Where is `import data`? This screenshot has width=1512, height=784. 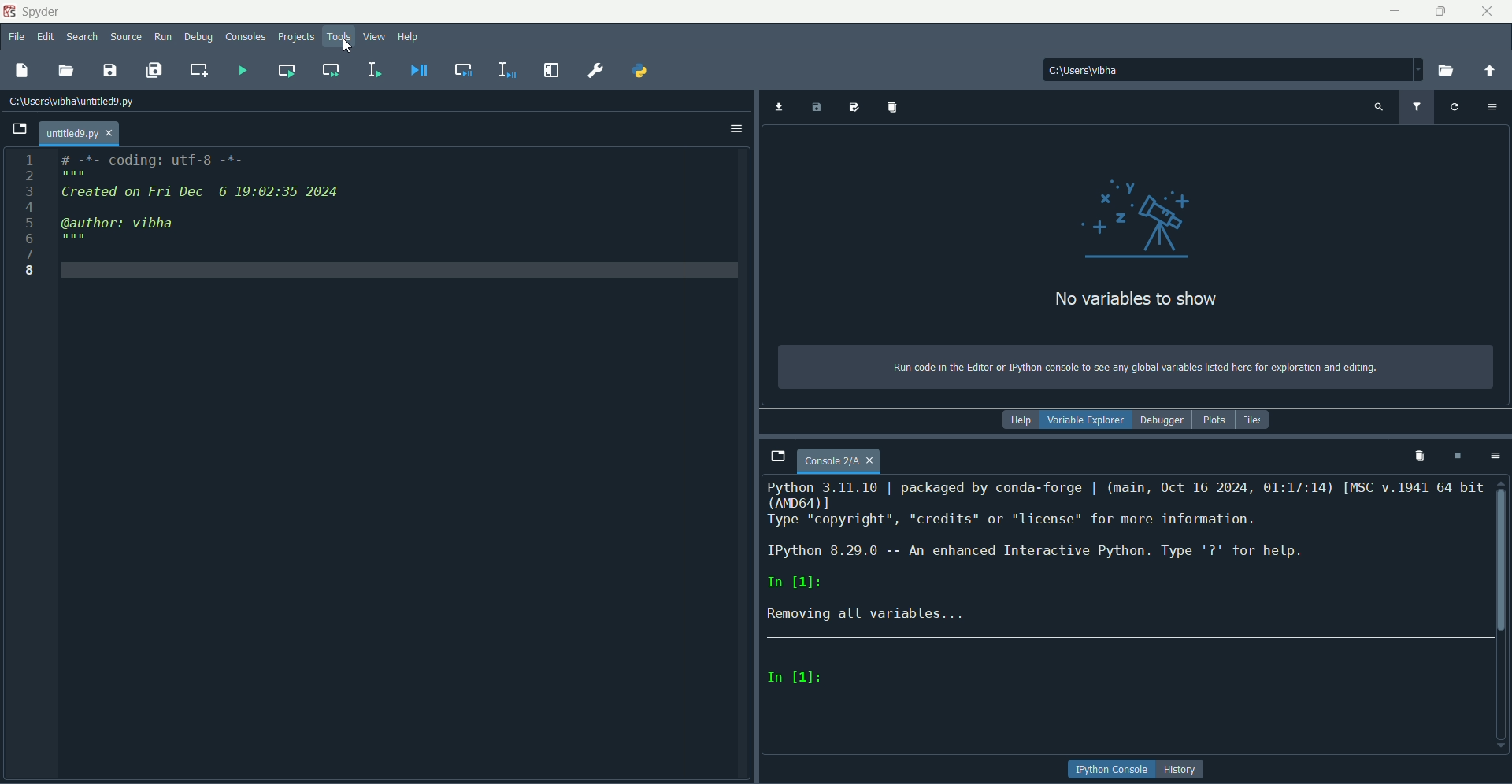
import data is located at coordinates (777, 108).